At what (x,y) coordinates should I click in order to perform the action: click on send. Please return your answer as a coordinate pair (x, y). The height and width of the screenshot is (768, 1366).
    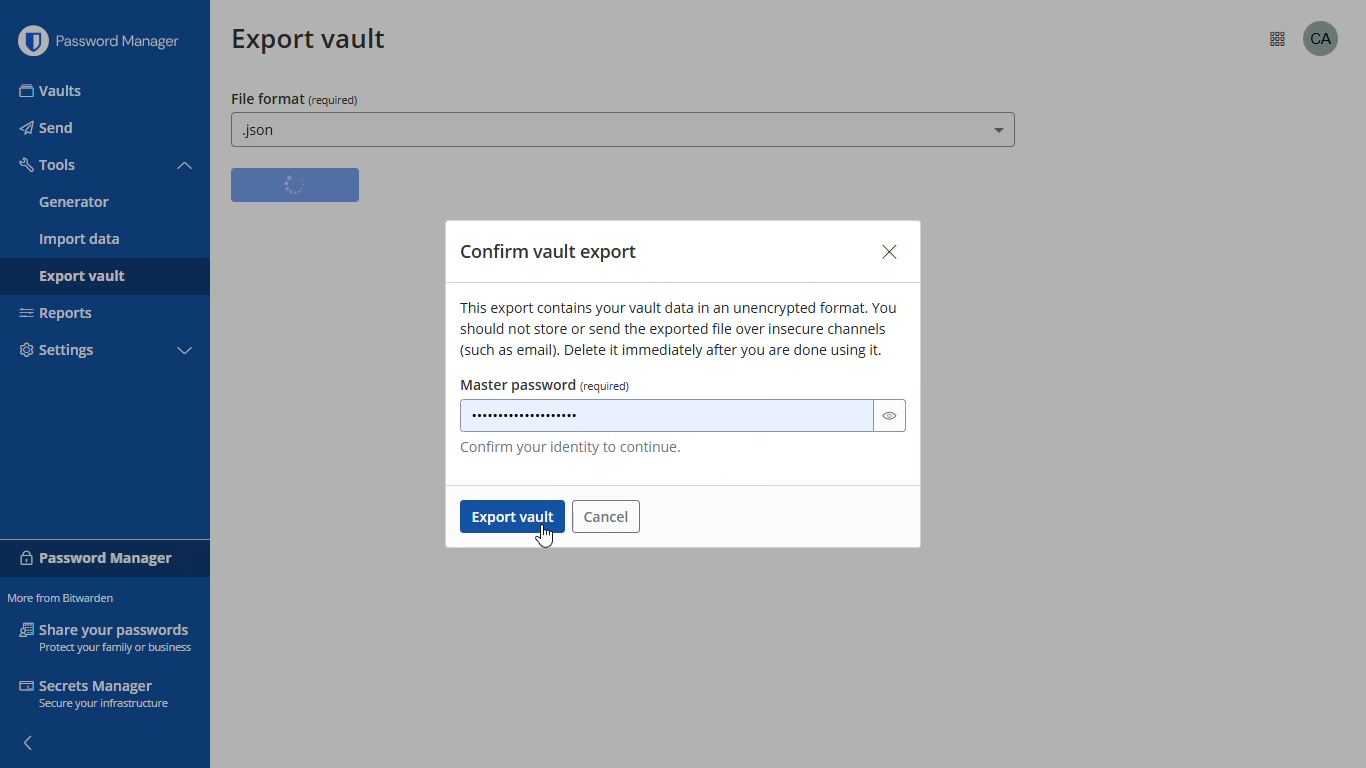
    Looking at the image, I should click on (47, 128).